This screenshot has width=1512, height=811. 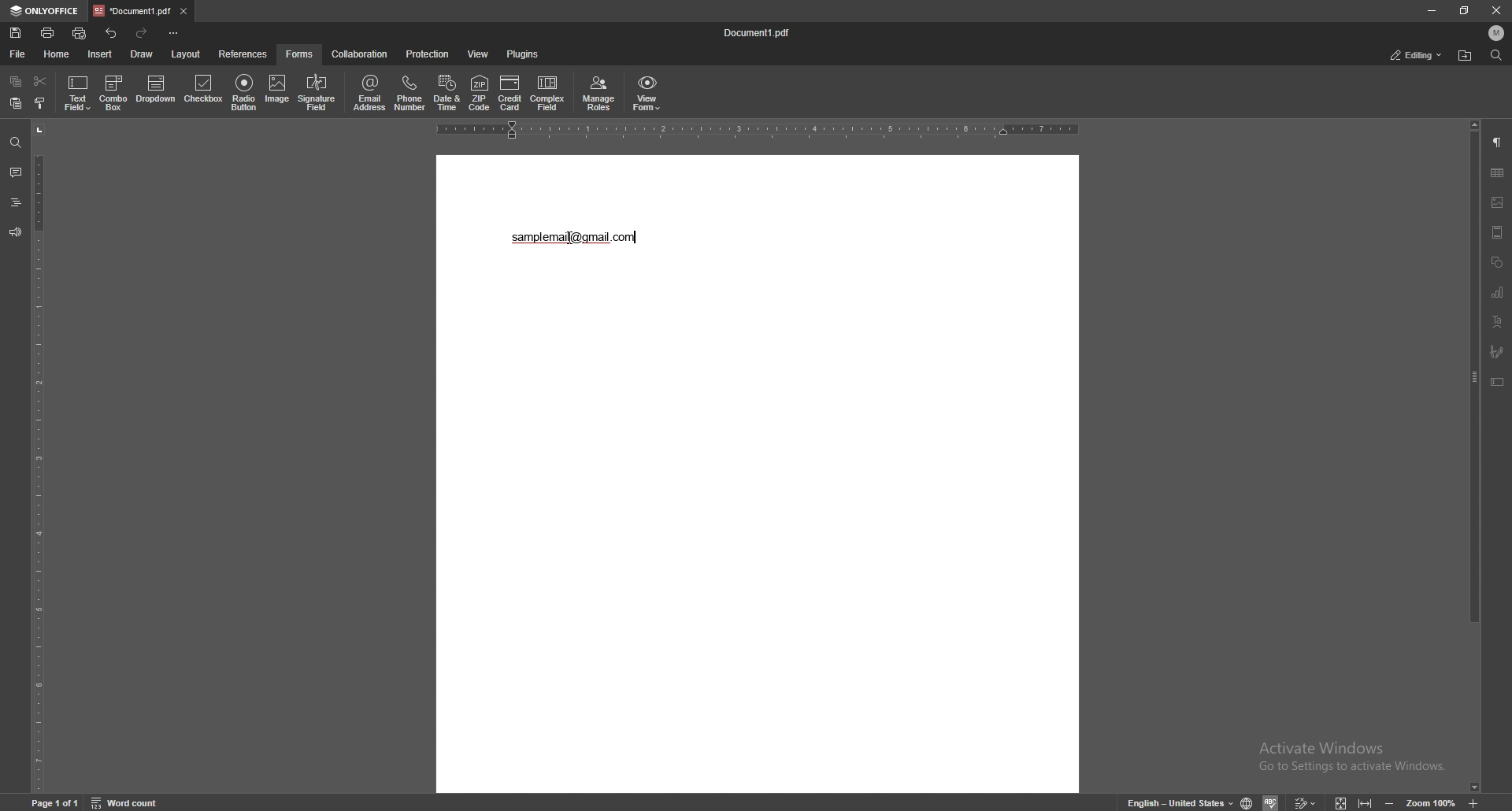 What do you see at coordinates (16, 33) in the screenshot?
I see `save` at bounding box center [16, 33].